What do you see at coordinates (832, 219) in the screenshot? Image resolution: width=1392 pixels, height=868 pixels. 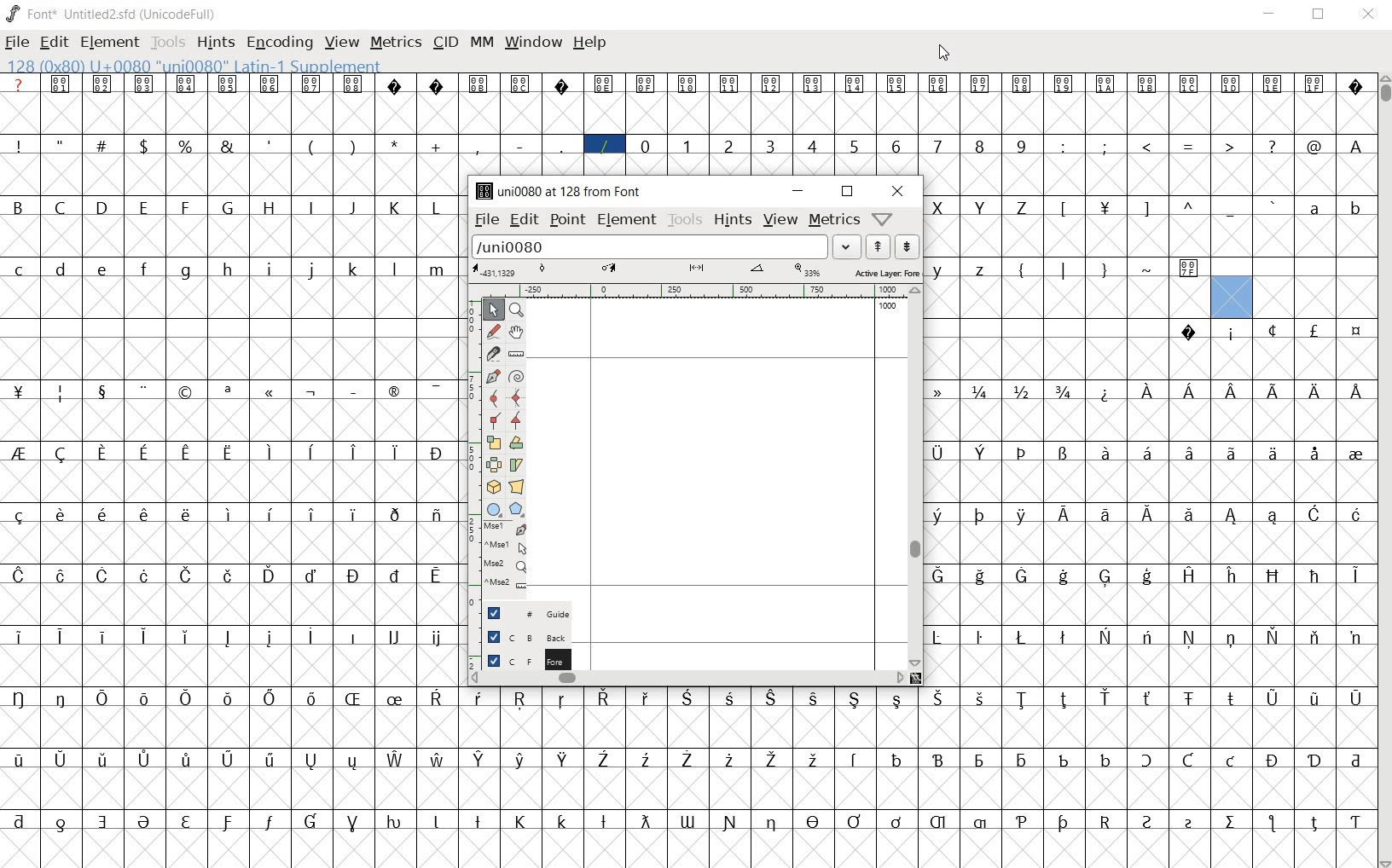 I see `metrics` at bounding box center [832, 219].